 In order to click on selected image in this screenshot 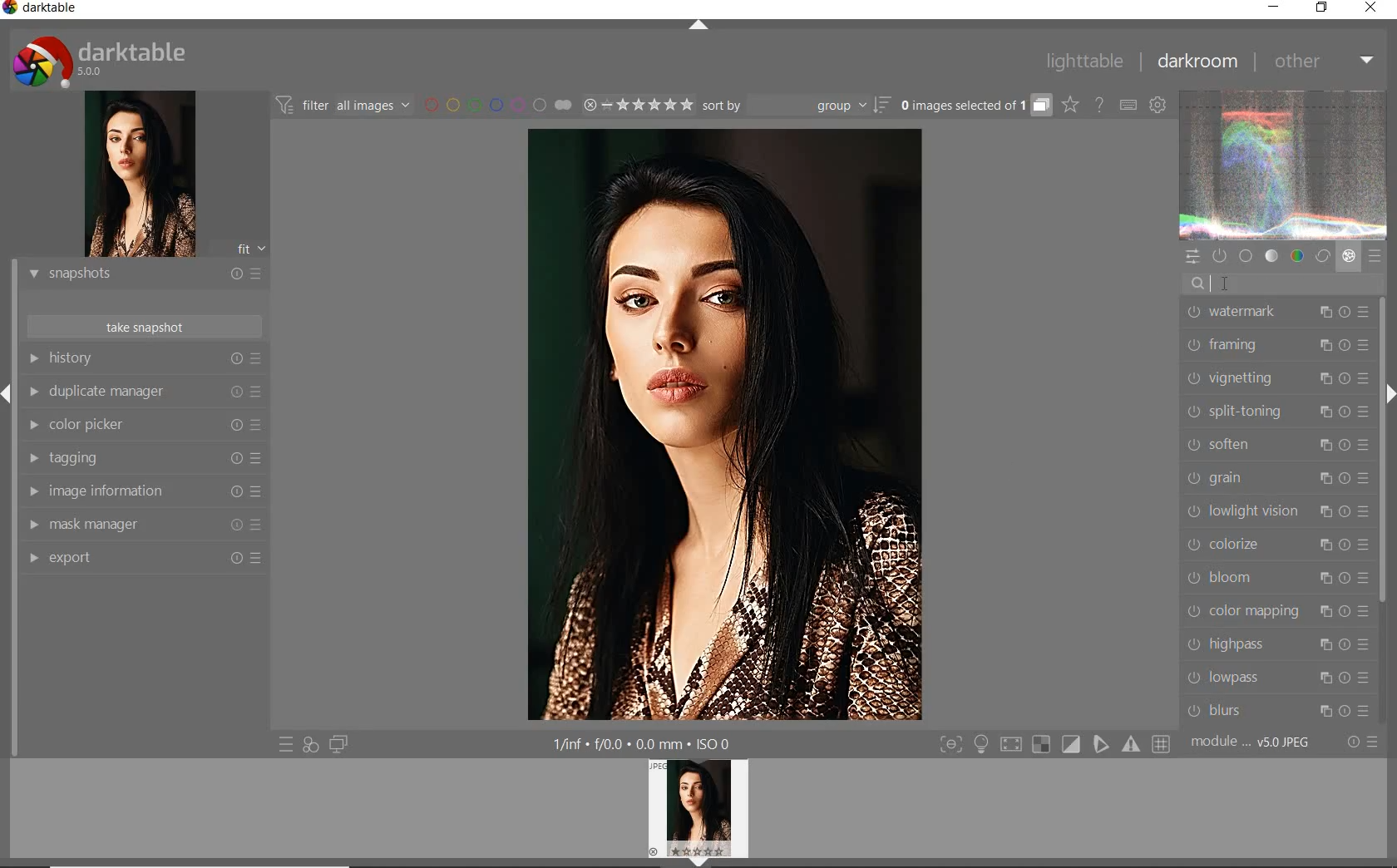, I will do `click(722, 427)`.